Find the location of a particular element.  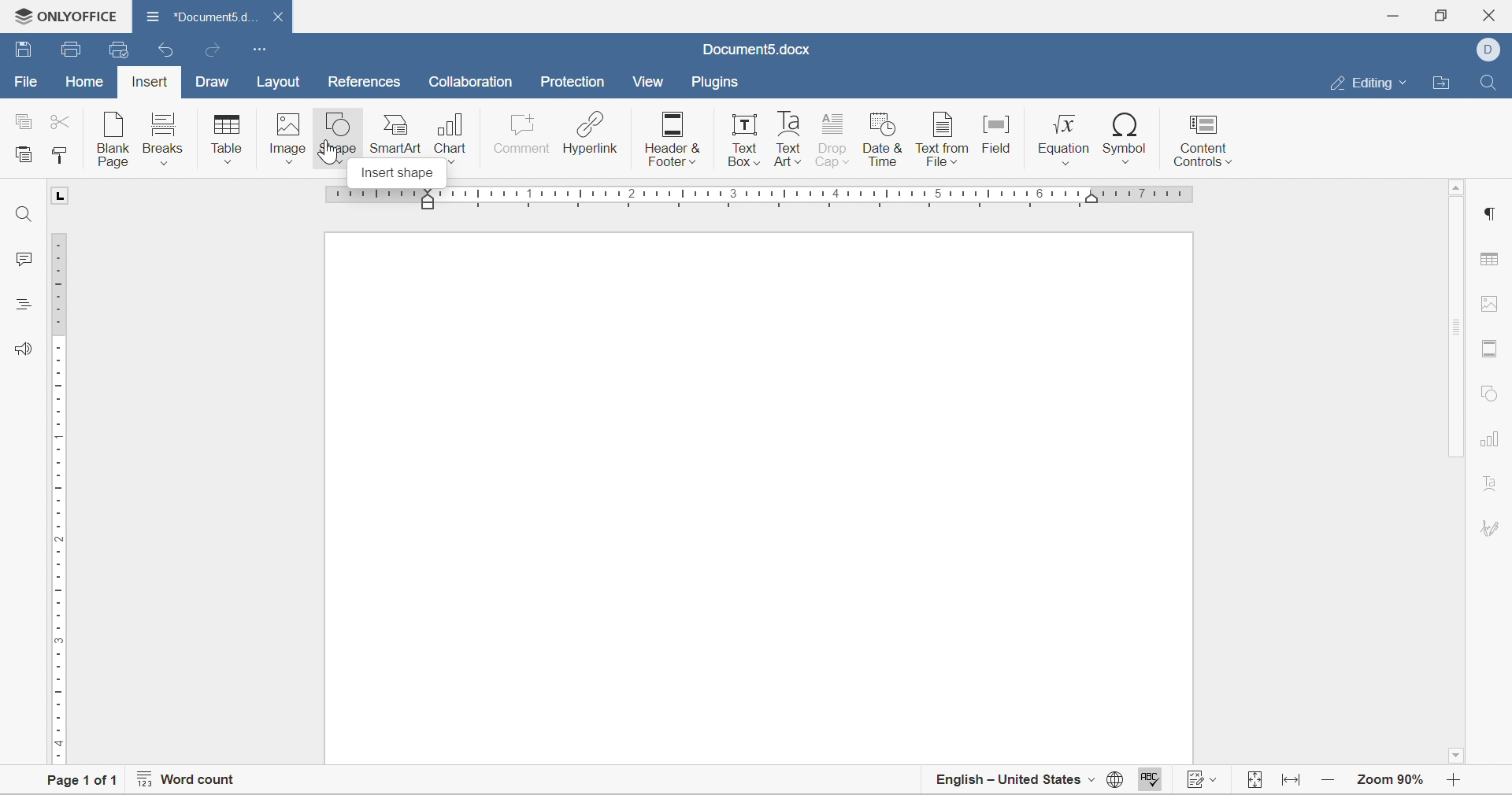

close is located at coordinates (1492, 15).